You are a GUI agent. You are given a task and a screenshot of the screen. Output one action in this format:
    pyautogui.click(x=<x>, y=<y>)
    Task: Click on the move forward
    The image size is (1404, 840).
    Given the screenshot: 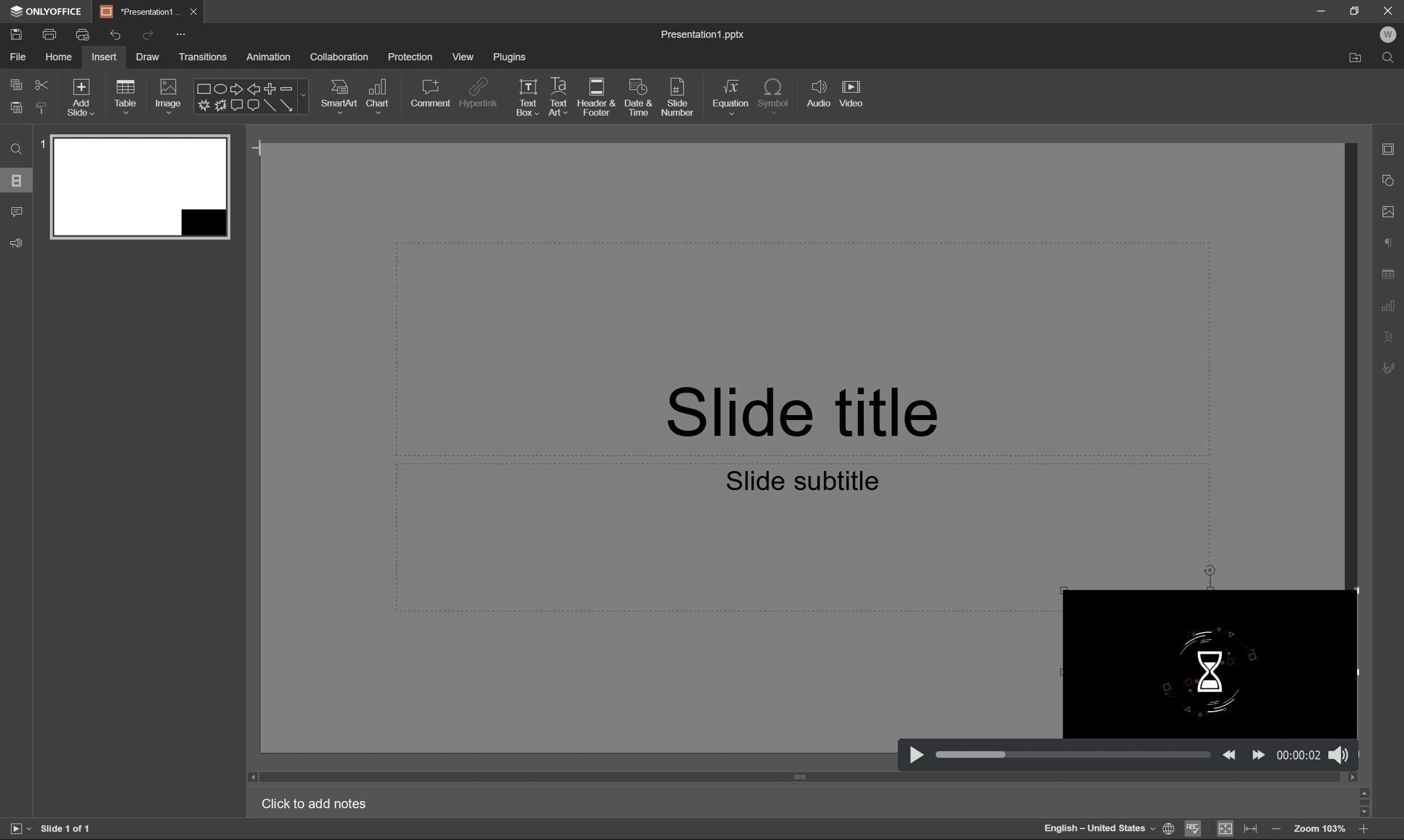 What is the action you would take?
    pyautogui.click(x=1259, y=753)
    